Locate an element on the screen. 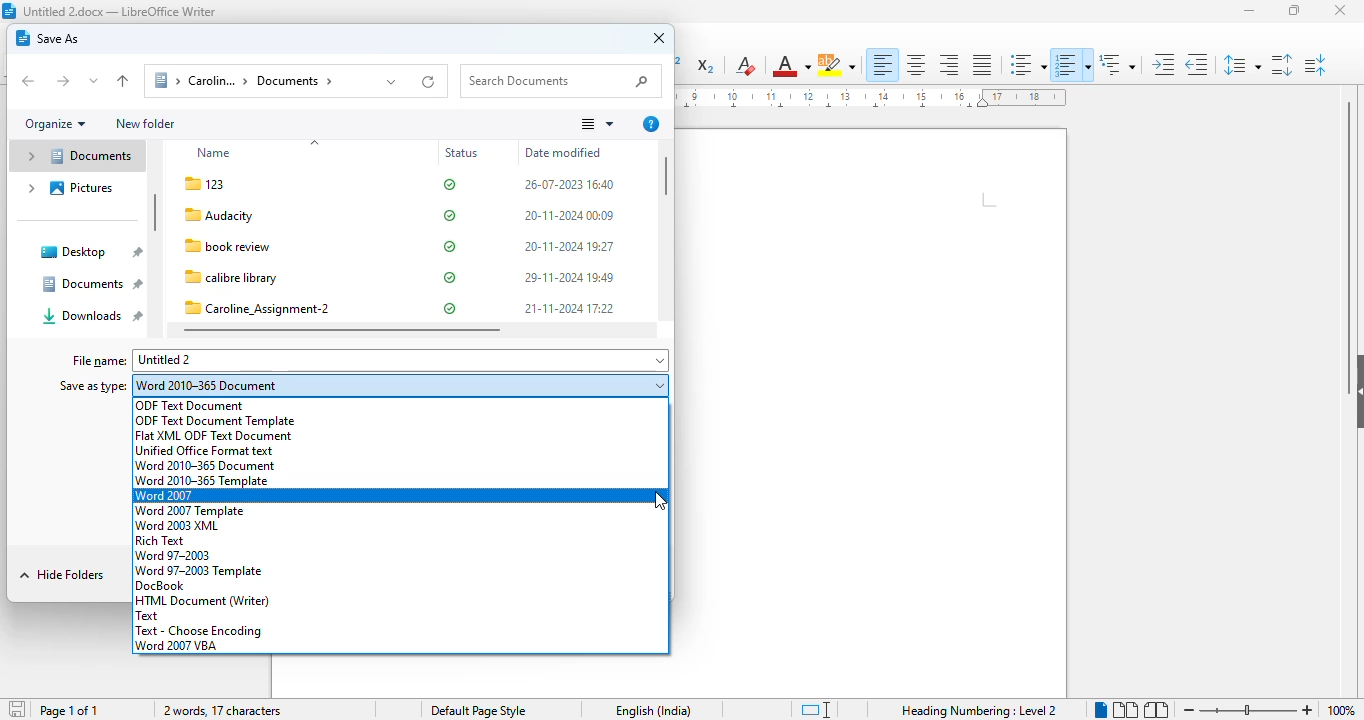  status is located at coordinates (464, 154).